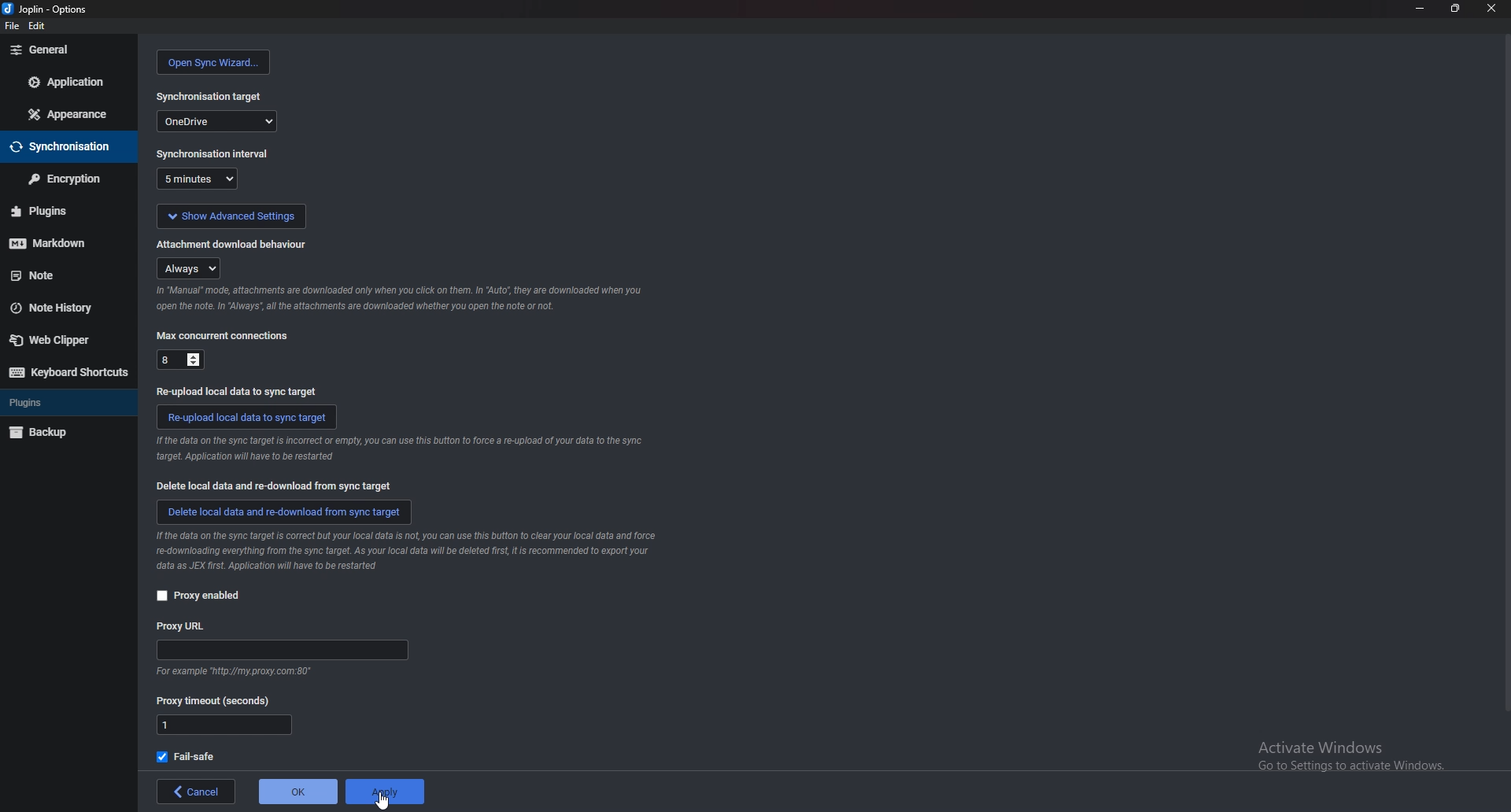  Describe the element at coordinates (9, 24) in the screenshot. I see `file` at that location.